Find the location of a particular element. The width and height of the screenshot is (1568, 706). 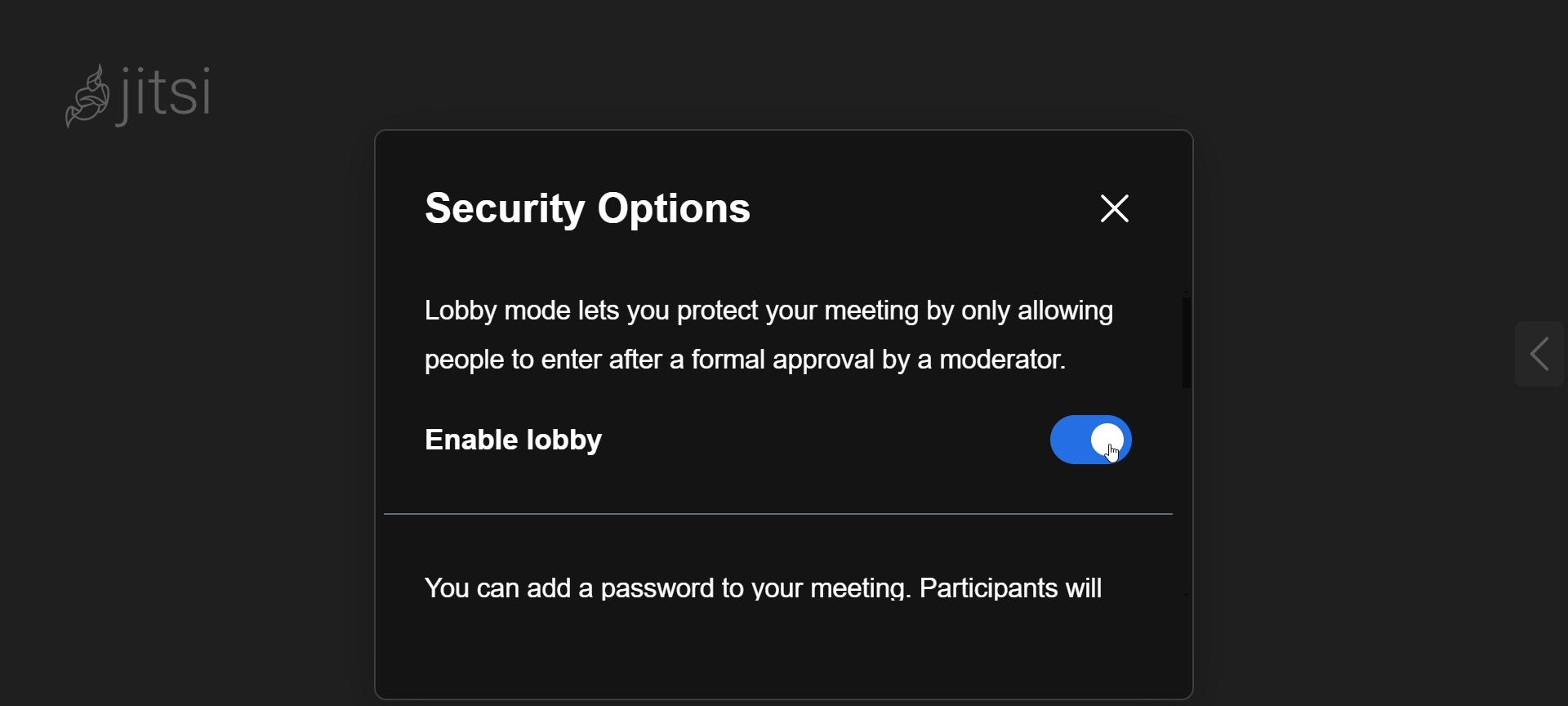

Security options is located at coordinates (626, 212).